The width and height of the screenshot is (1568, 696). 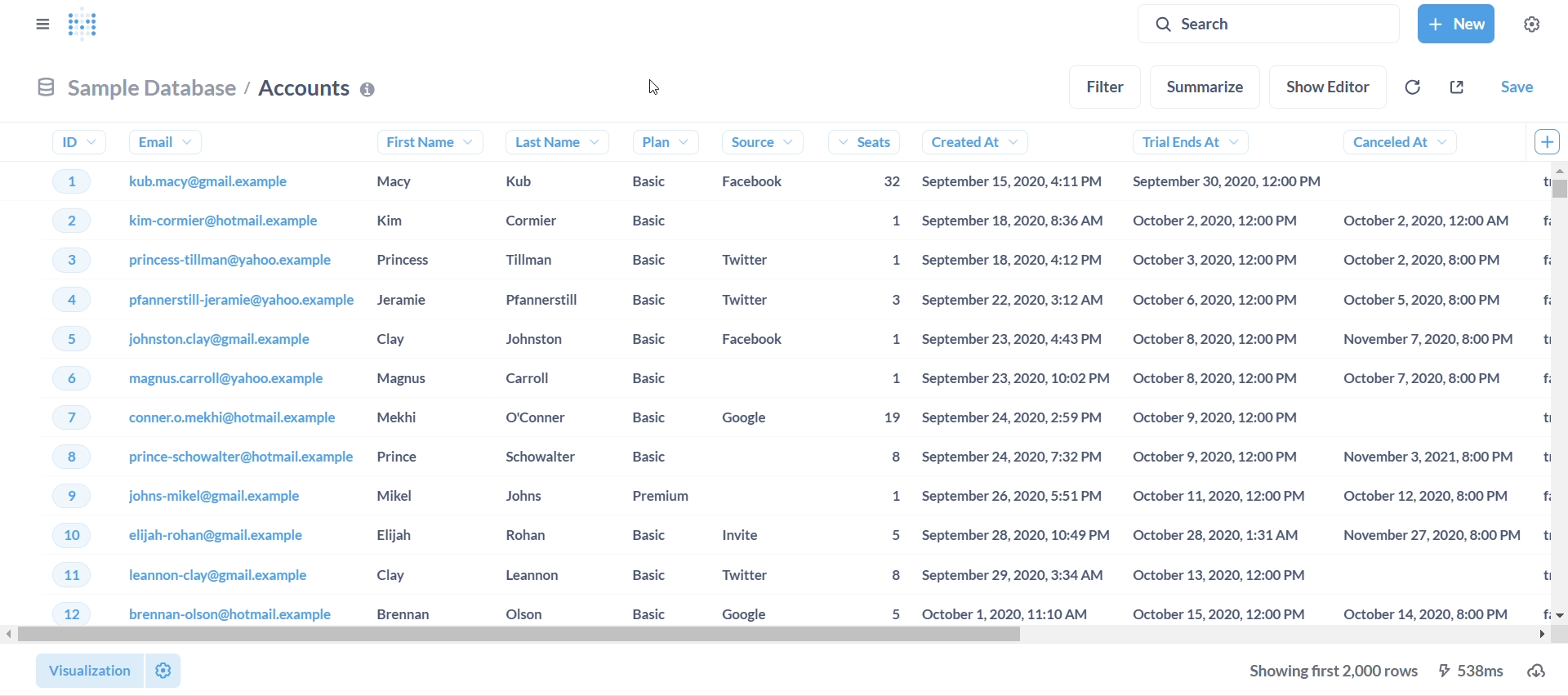 What do you see at coordinates (44, 25) in the screenshot?
I see `close sidebar` at bounding box center [44, 25].